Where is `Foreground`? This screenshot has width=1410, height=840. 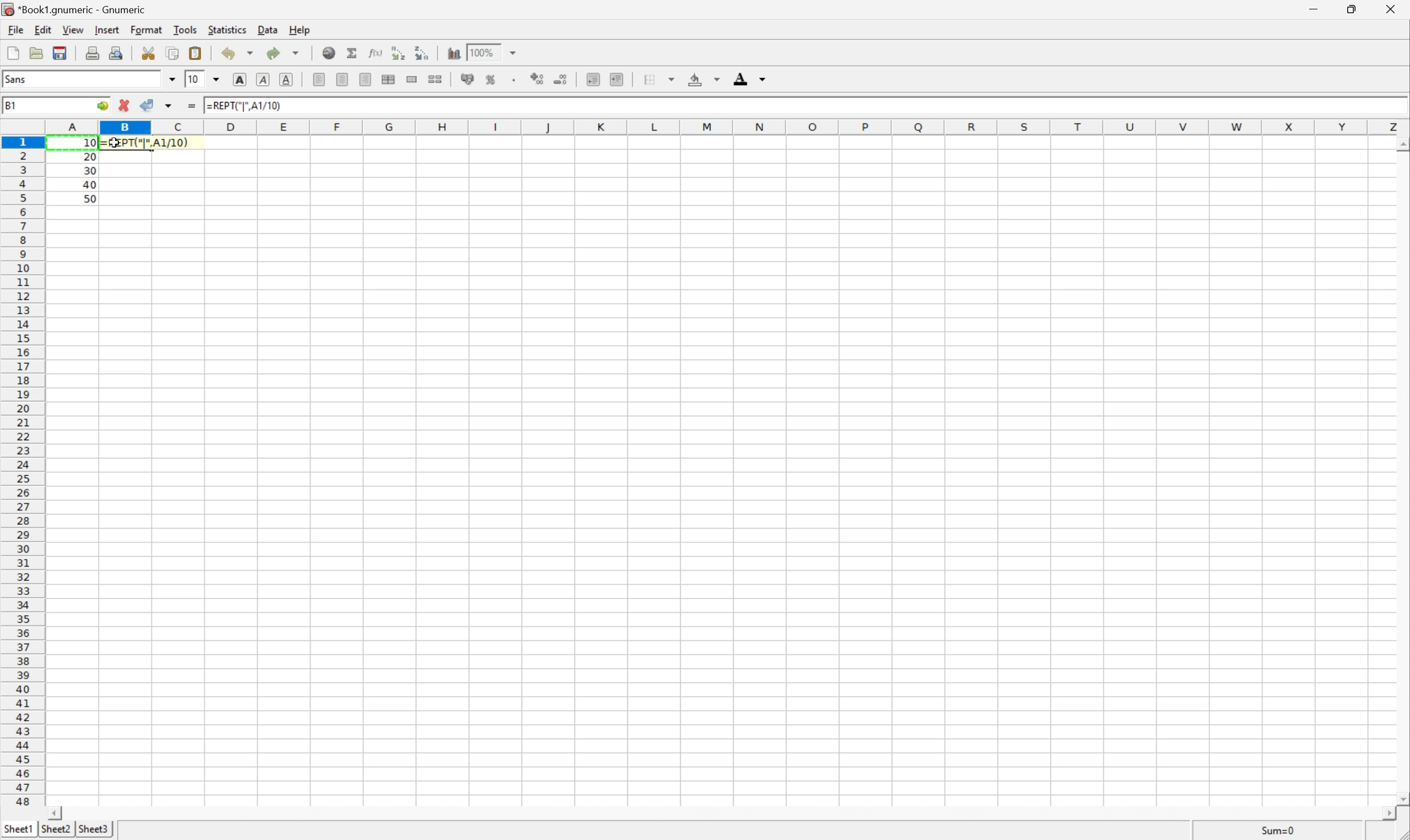 Foreground is located at coordinates (750, 78).